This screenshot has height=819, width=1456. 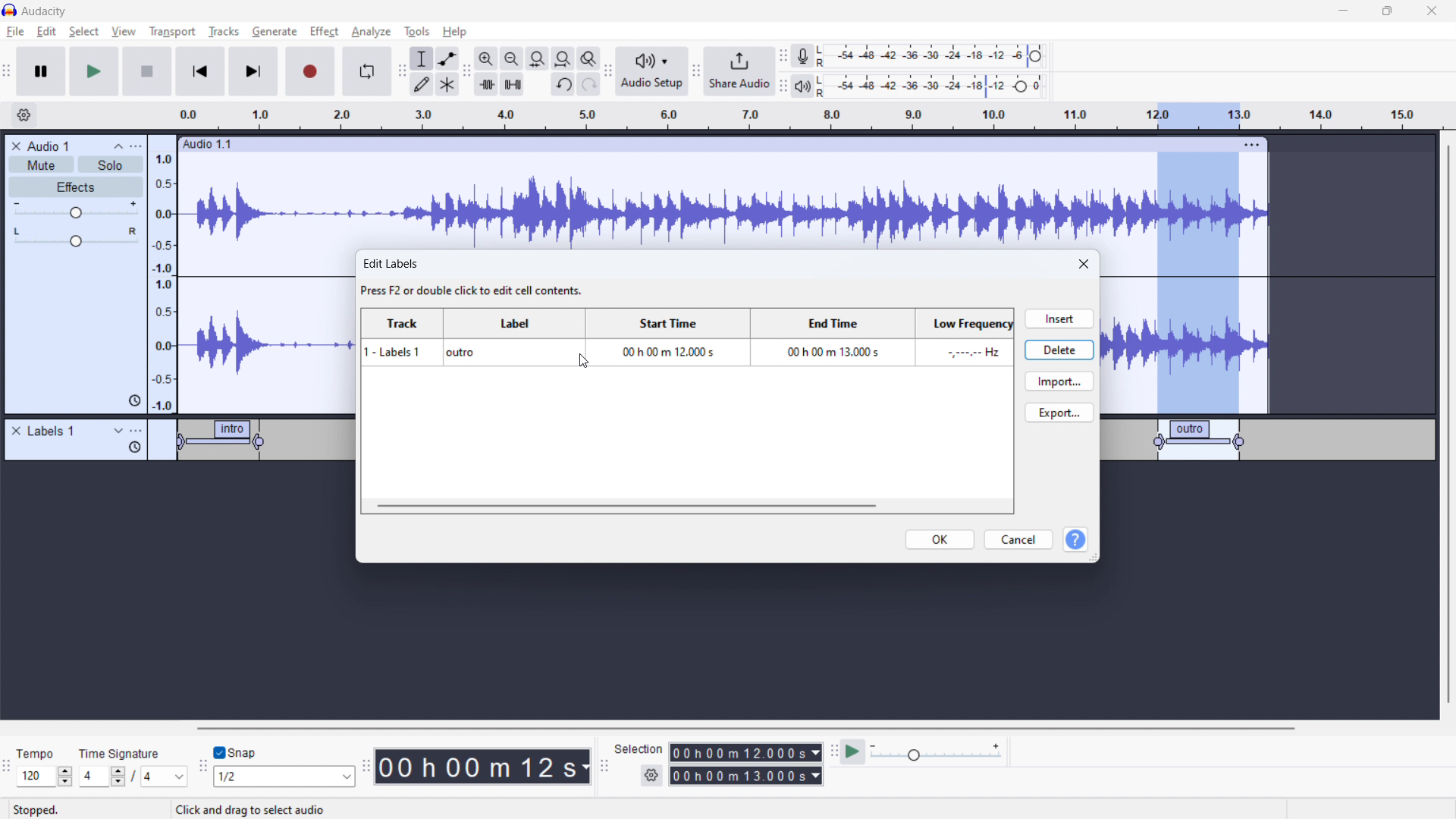 What do you see at coordinates (940, 539) in the screenshot?
I see `ok` at bounding box center [940, 539].